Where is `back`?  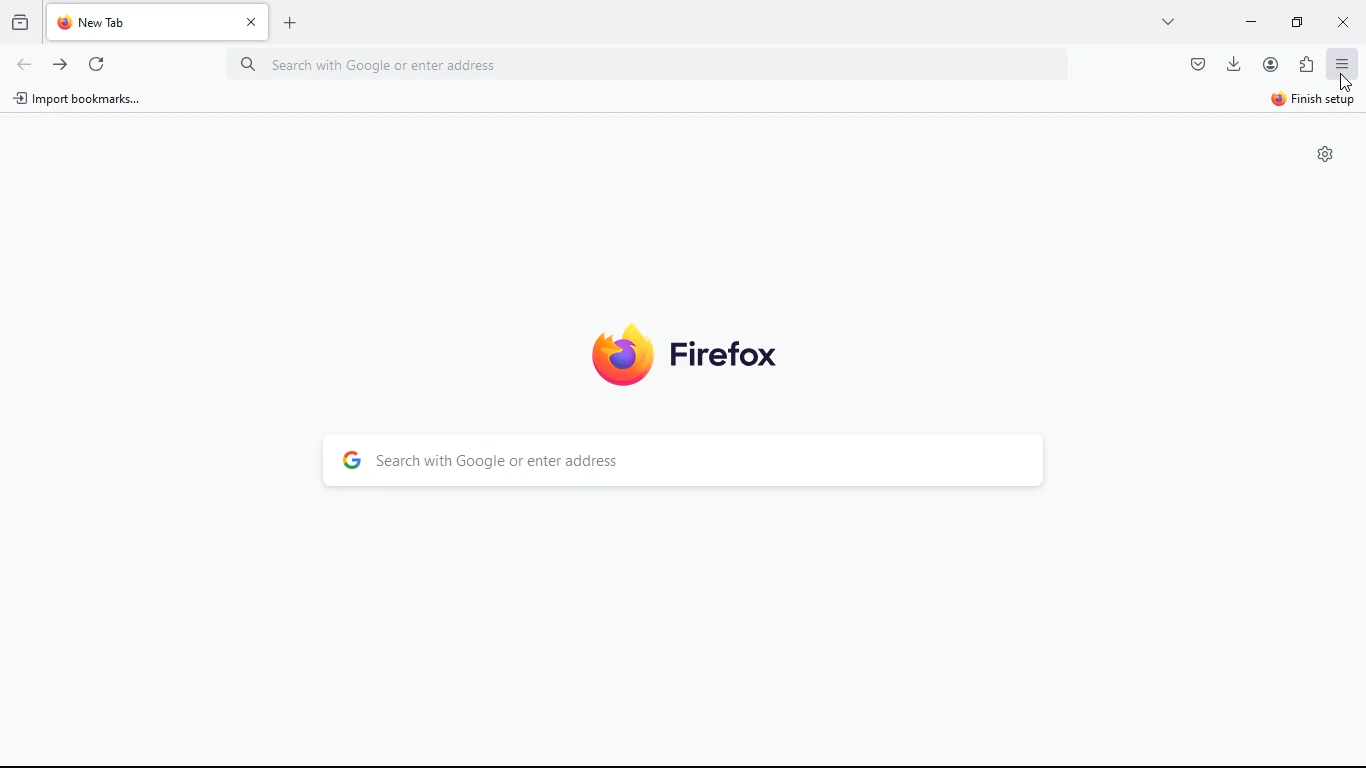
back is located at coordinates (24, 66).